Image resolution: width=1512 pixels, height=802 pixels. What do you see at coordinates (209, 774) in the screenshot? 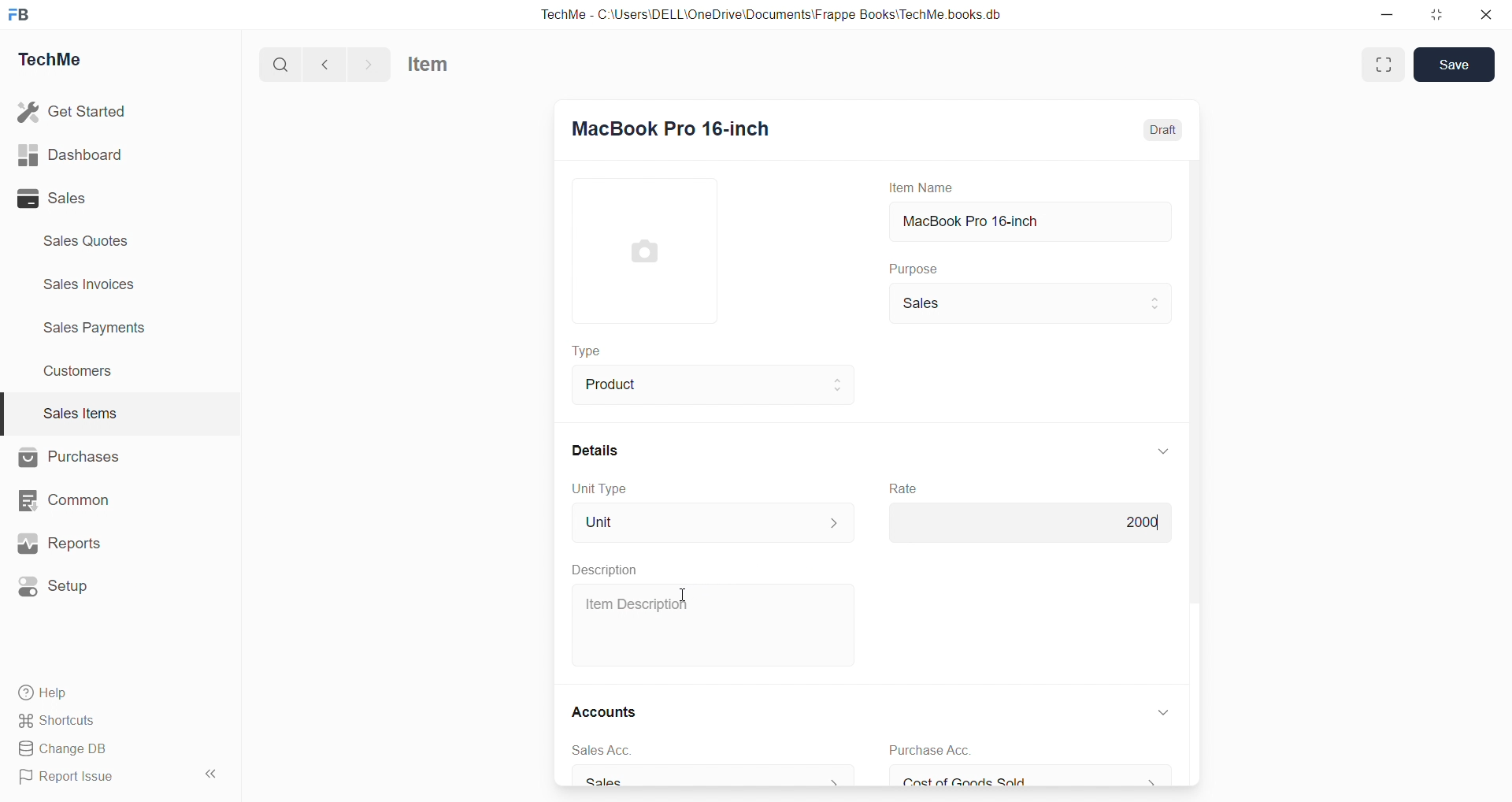
I see `<<` at bounding box center [209, 774].